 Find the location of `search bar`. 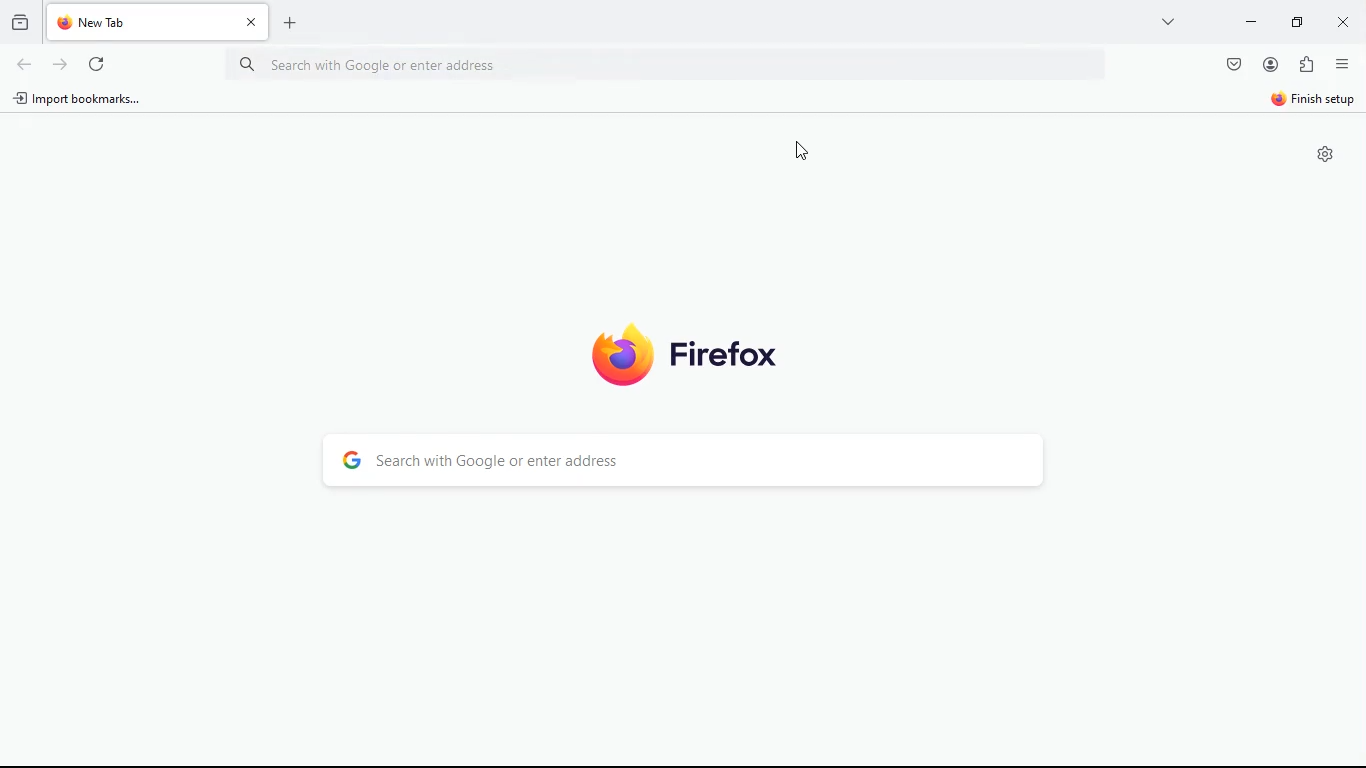

search bar is located at coordinates (692, 461).